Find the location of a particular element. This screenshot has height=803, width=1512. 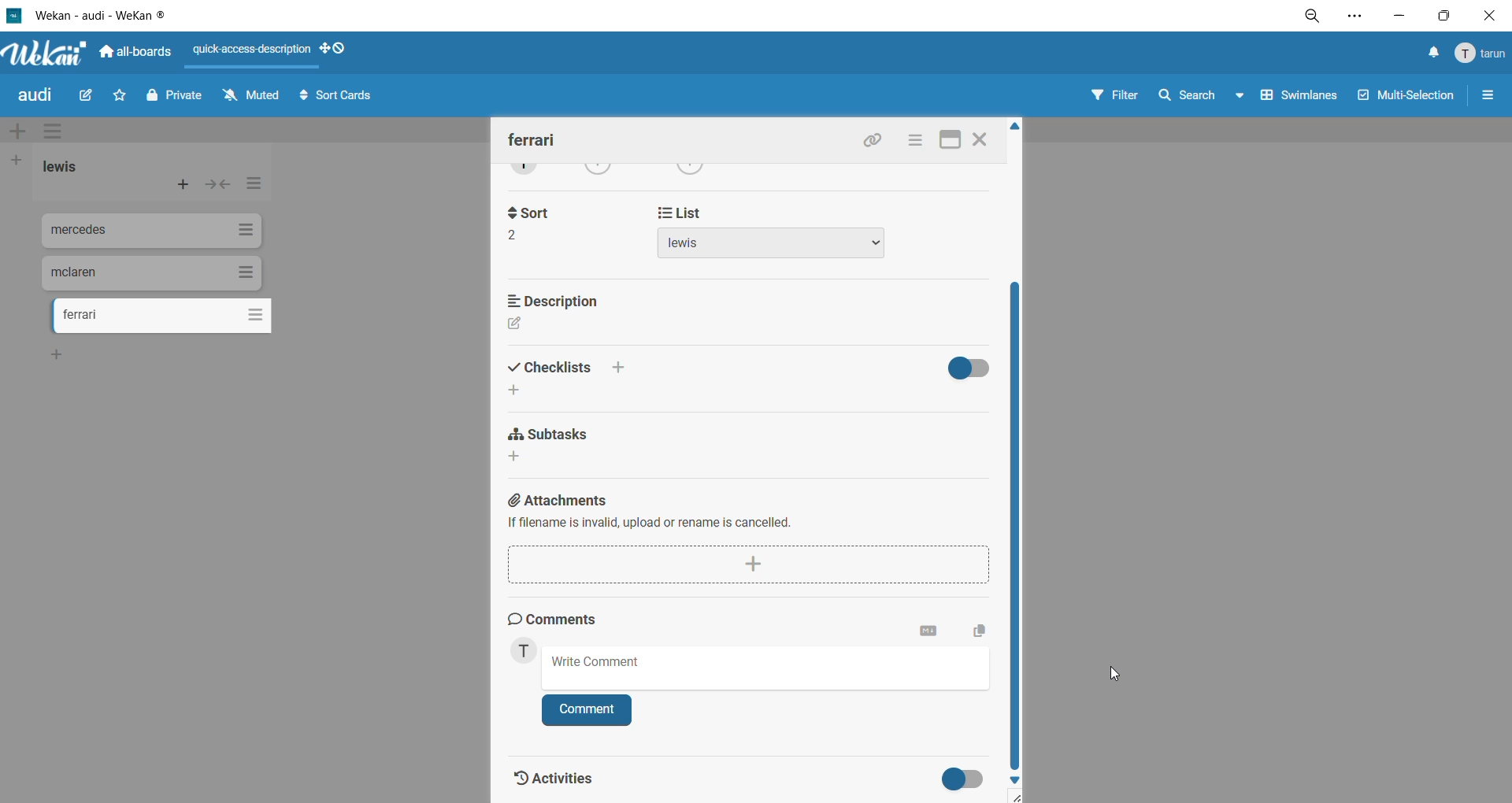

add list is located at coordinates (21, 160).